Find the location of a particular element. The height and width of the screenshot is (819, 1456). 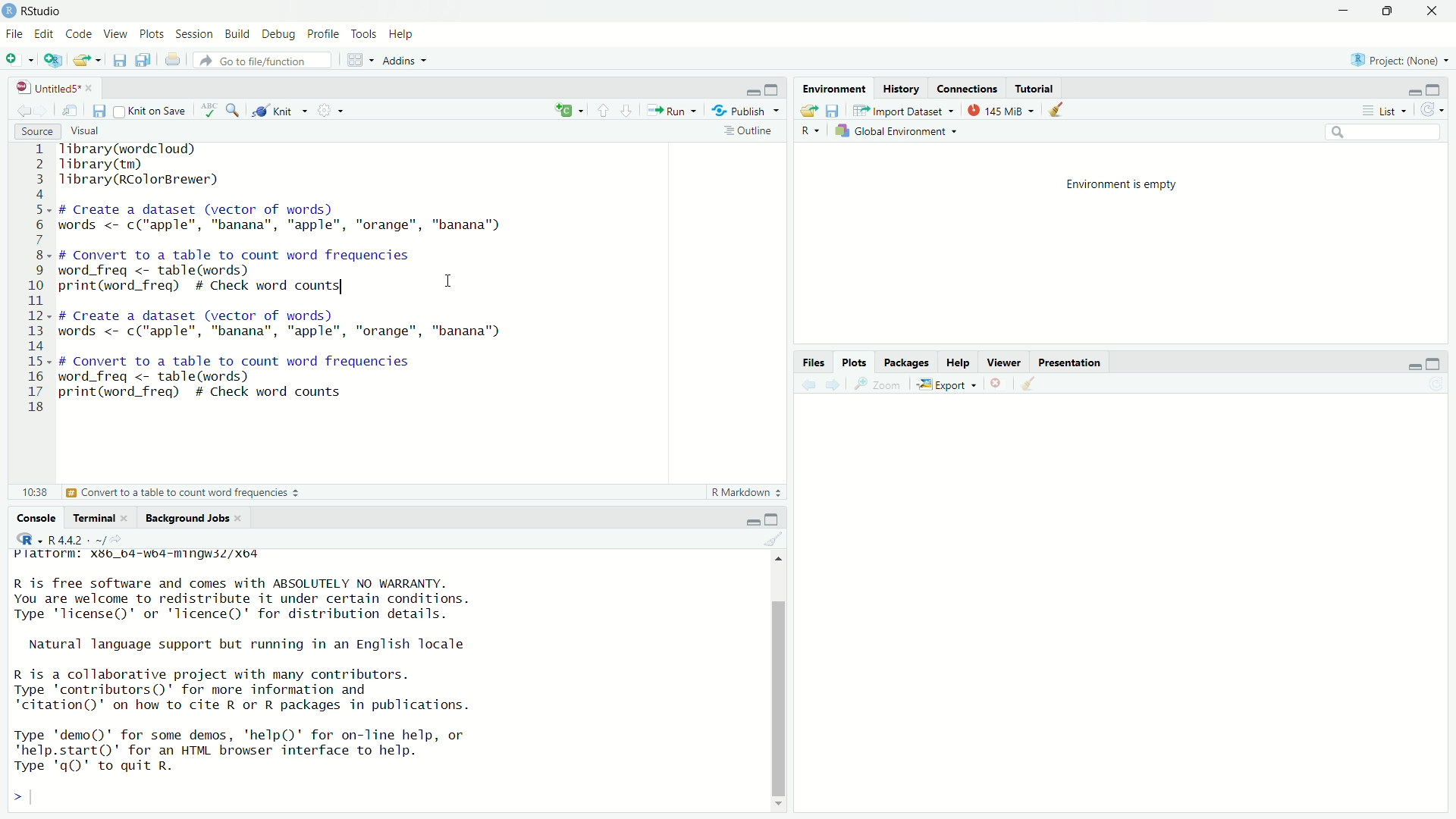

Maximize is located at coordinates (773, 519).